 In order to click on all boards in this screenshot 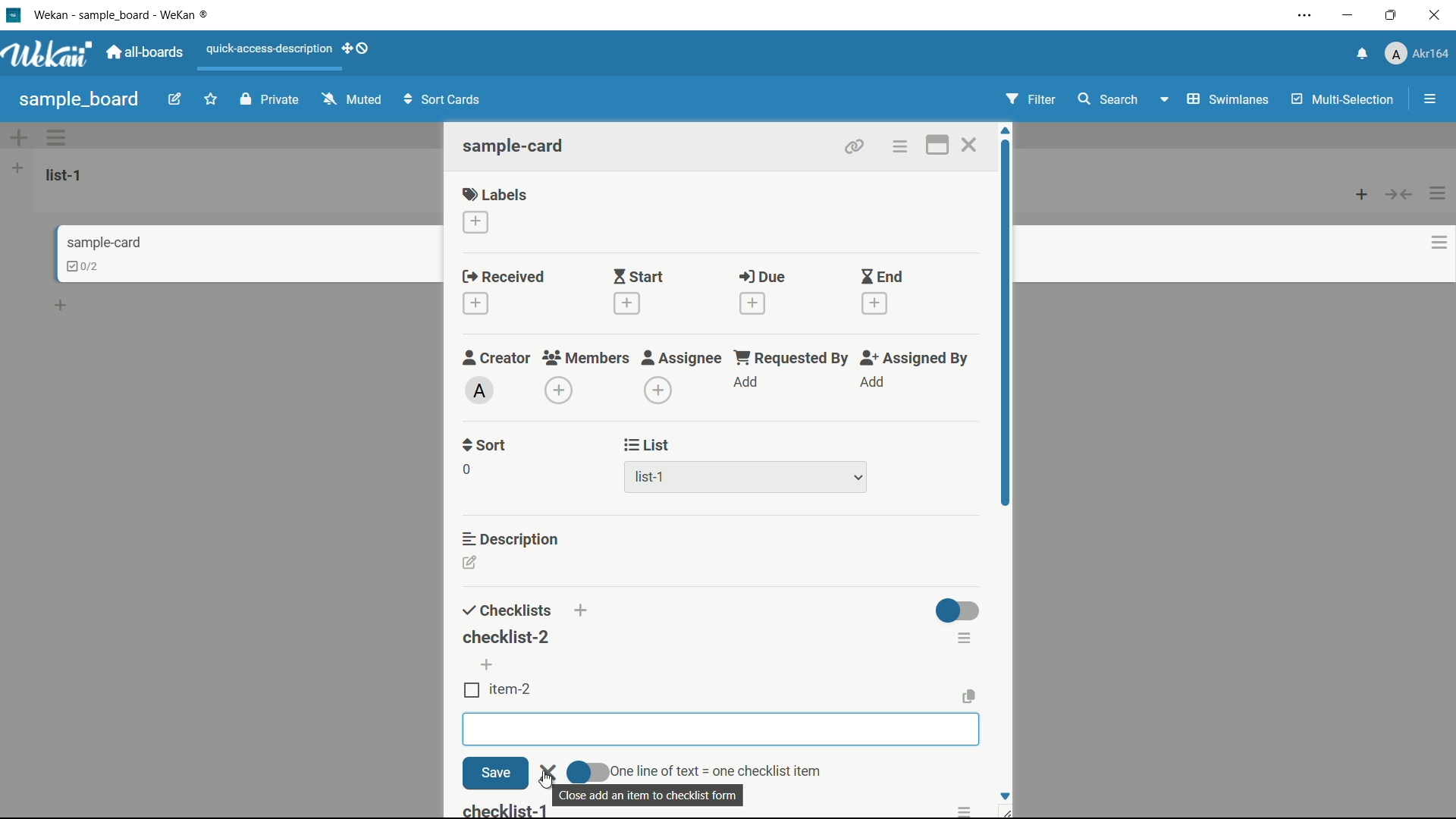, I will do `click(146, 52)`.